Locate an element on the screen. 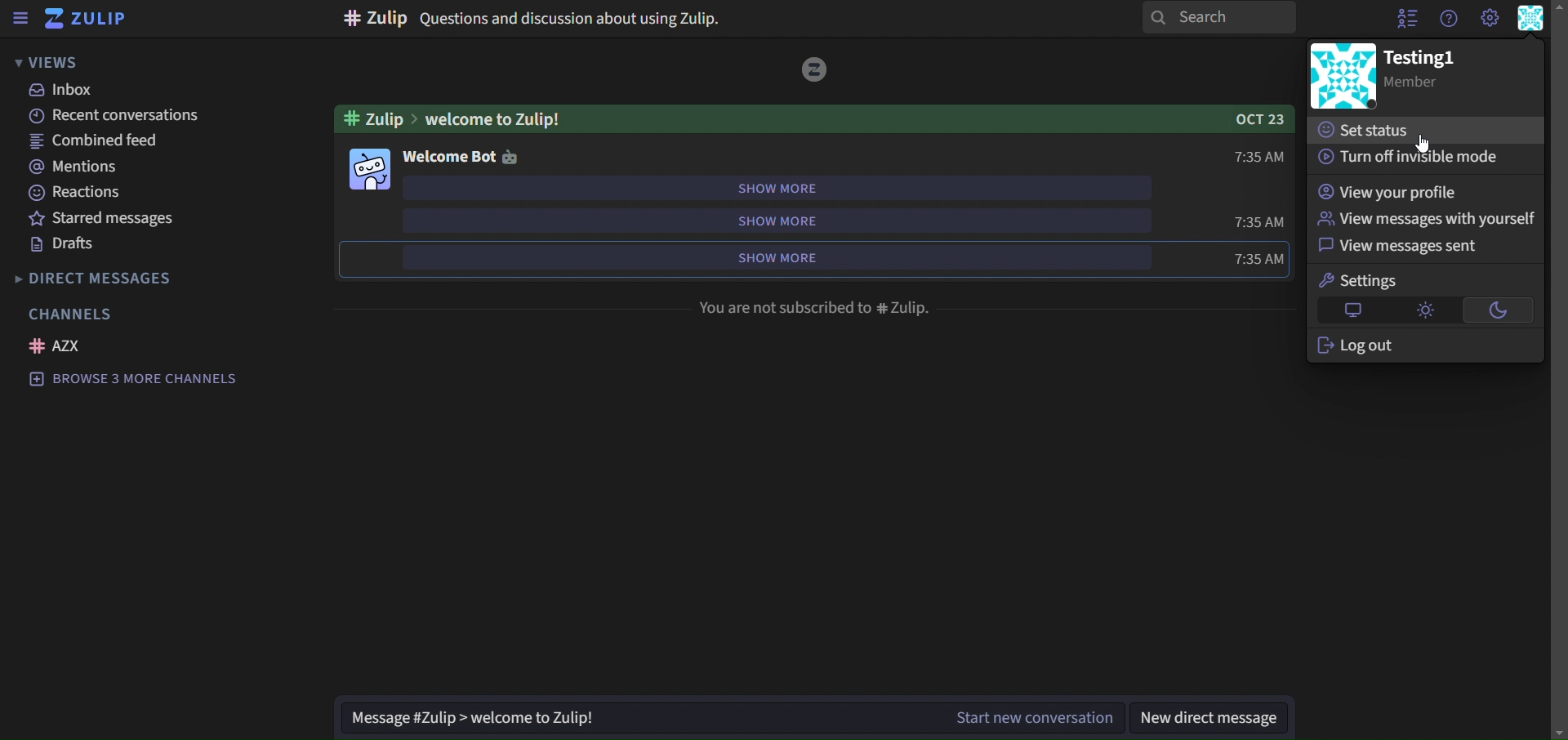  Testing1 is located at coordinates (1425, 75).